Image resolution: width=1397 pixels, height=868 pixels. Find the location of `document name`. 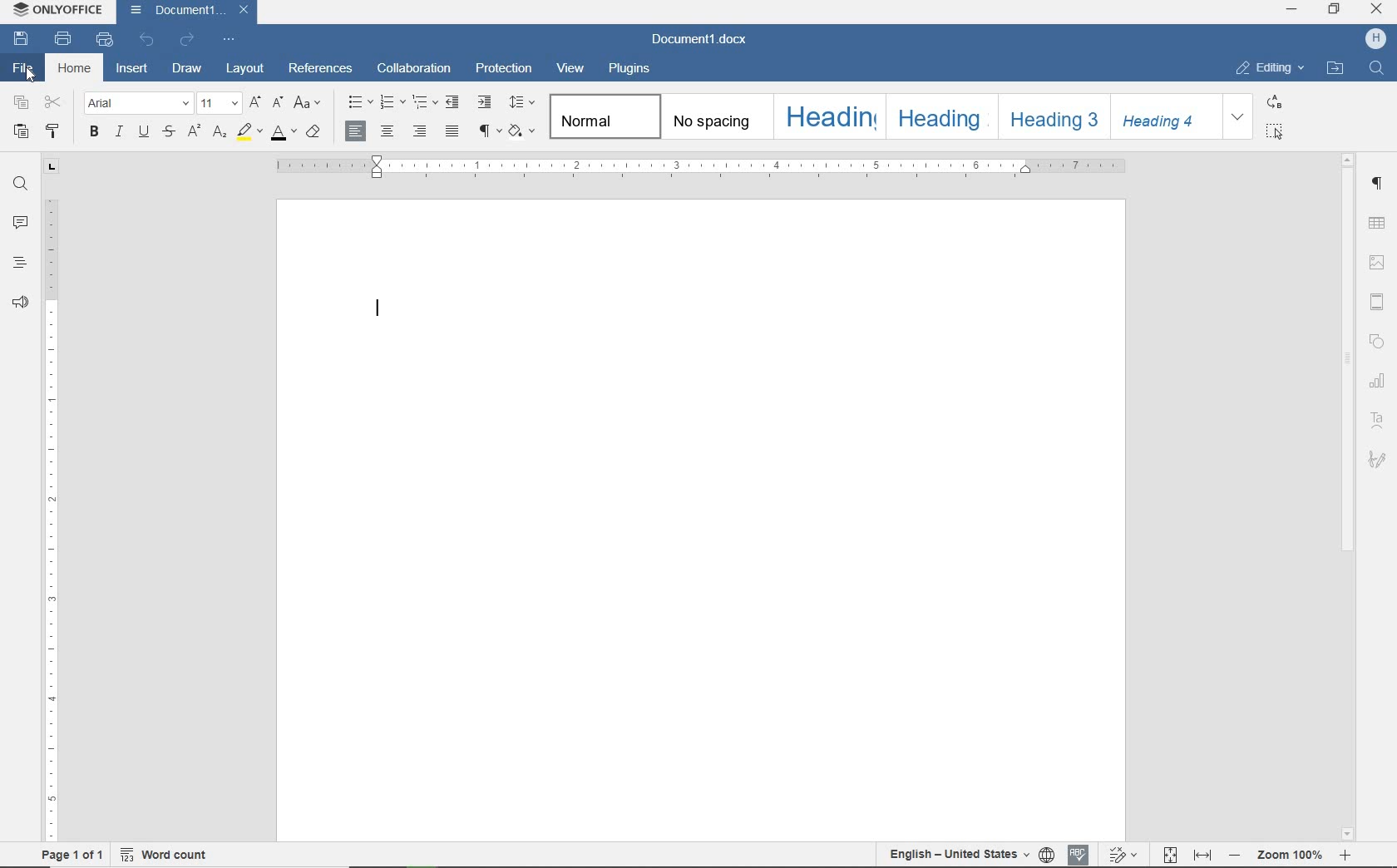

document name is located at coordinates (699, 39).